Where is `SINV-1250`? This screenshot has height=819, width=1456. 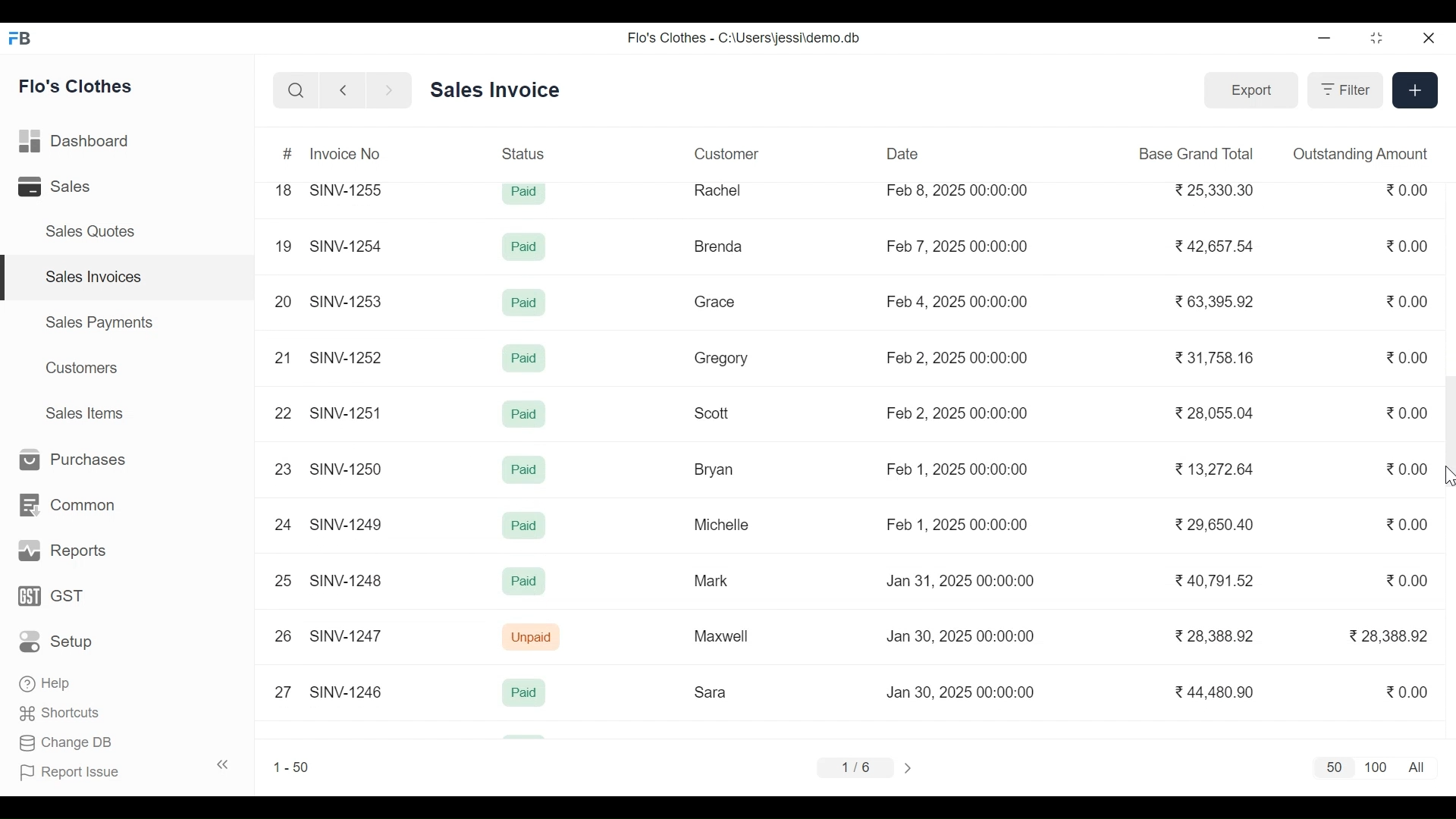 SINV-1250 is located at coordinates (348, 469).